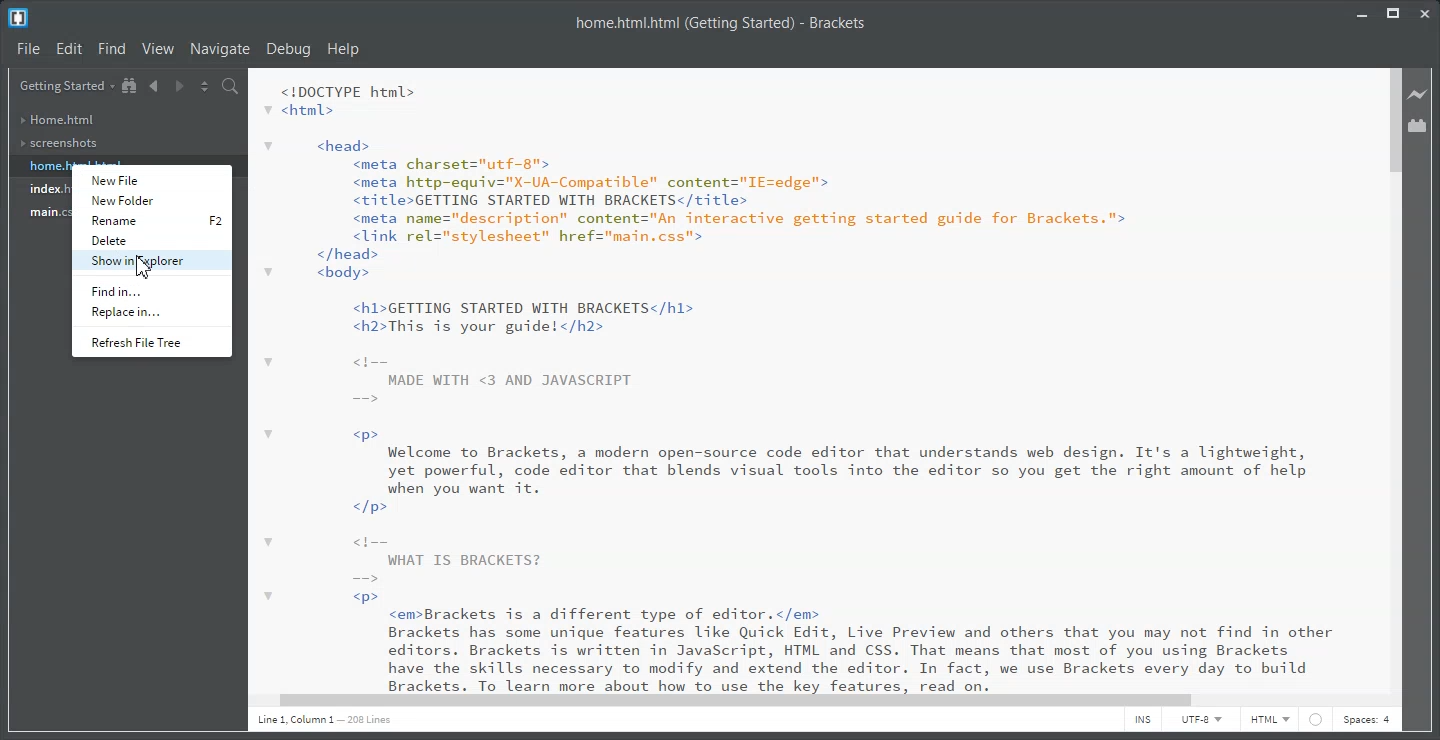  Describe the element at coordinates (1393, 379) in the screenshot. I see `Vertical Scroll bar ` at that location.